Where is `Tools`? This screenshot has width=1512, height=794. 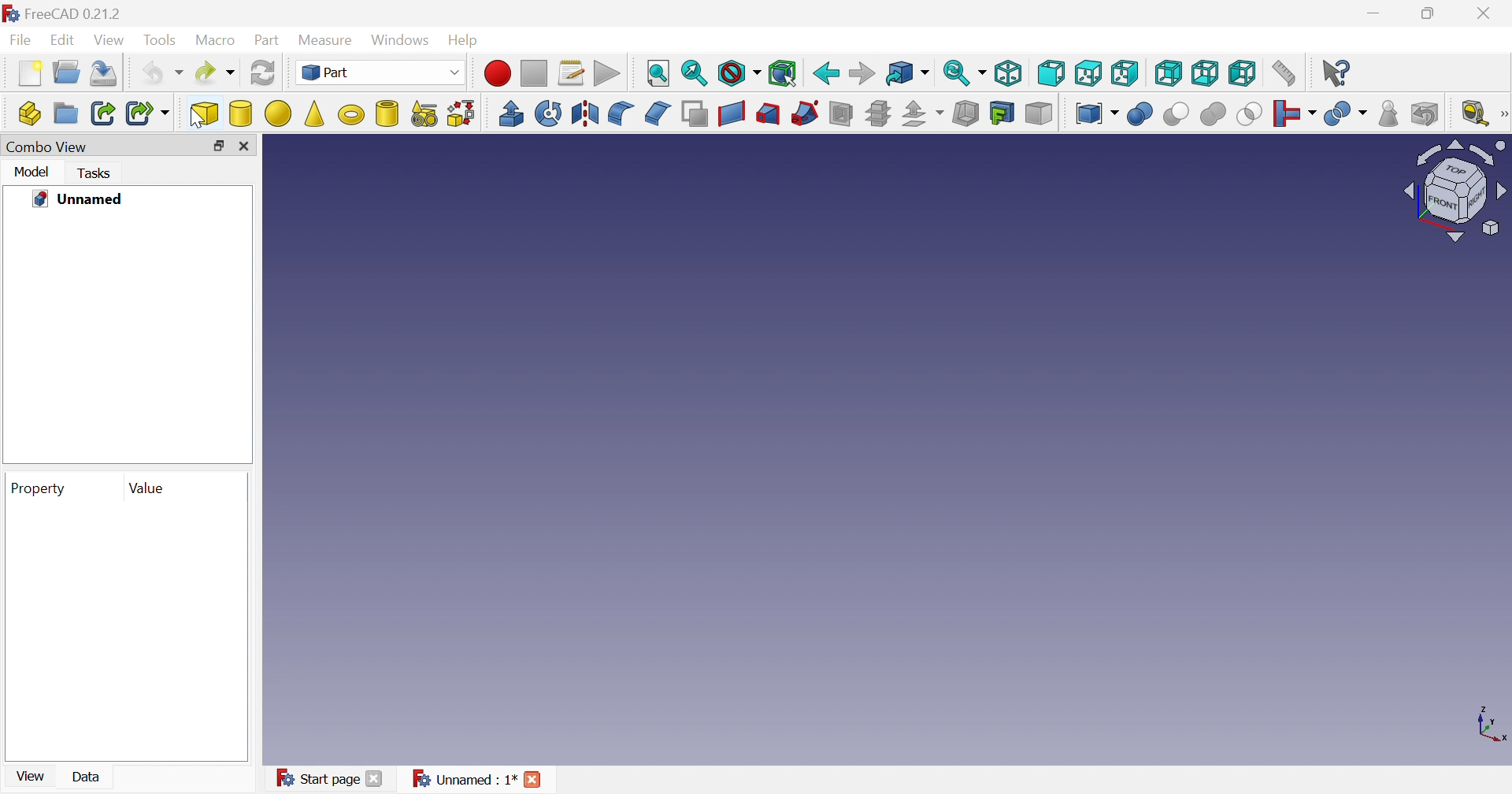
Tools is located at coordinates (160, 39).